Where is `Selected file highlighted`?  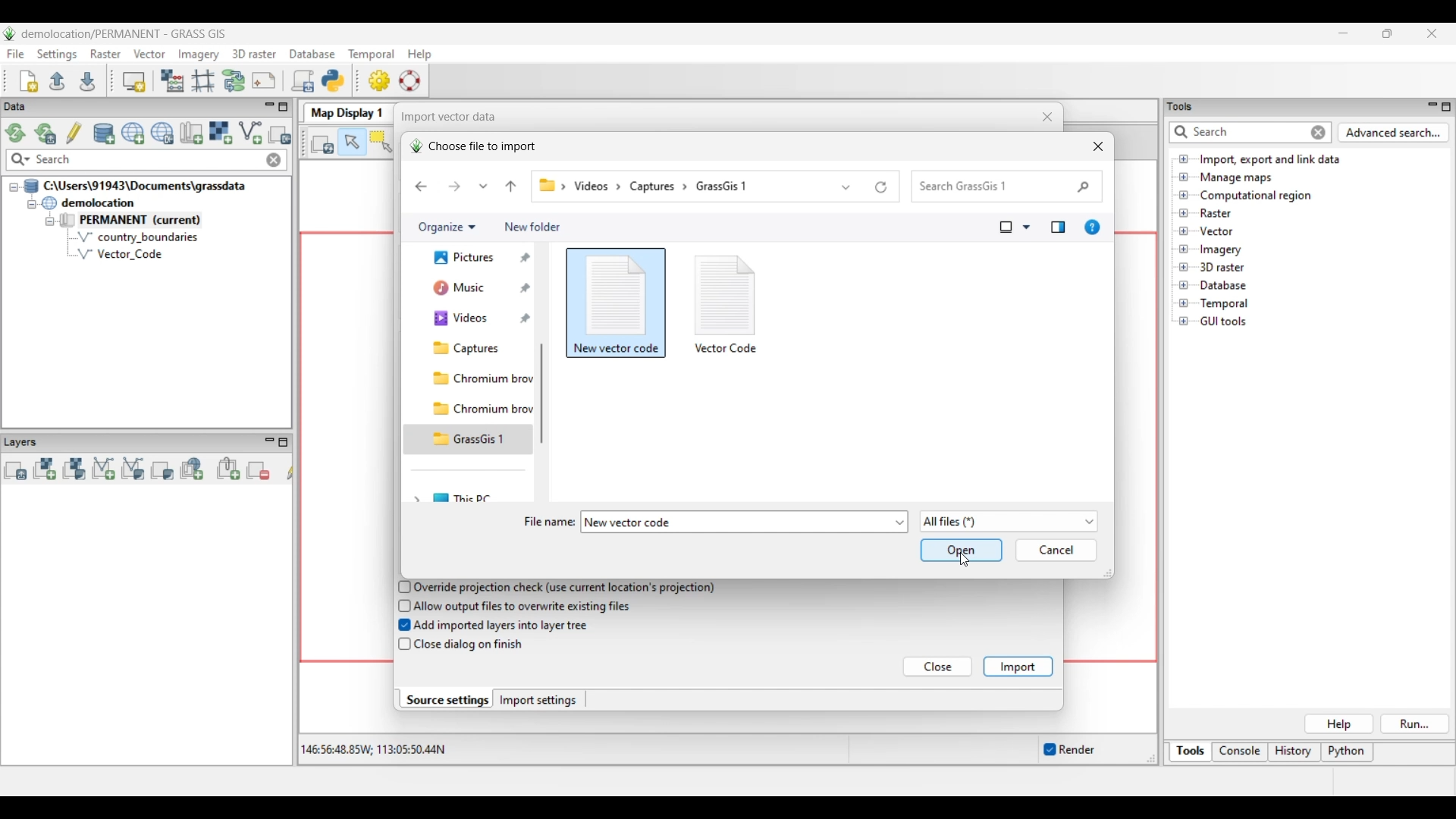
Selected file highlighted is located at coordinates (620, 350).